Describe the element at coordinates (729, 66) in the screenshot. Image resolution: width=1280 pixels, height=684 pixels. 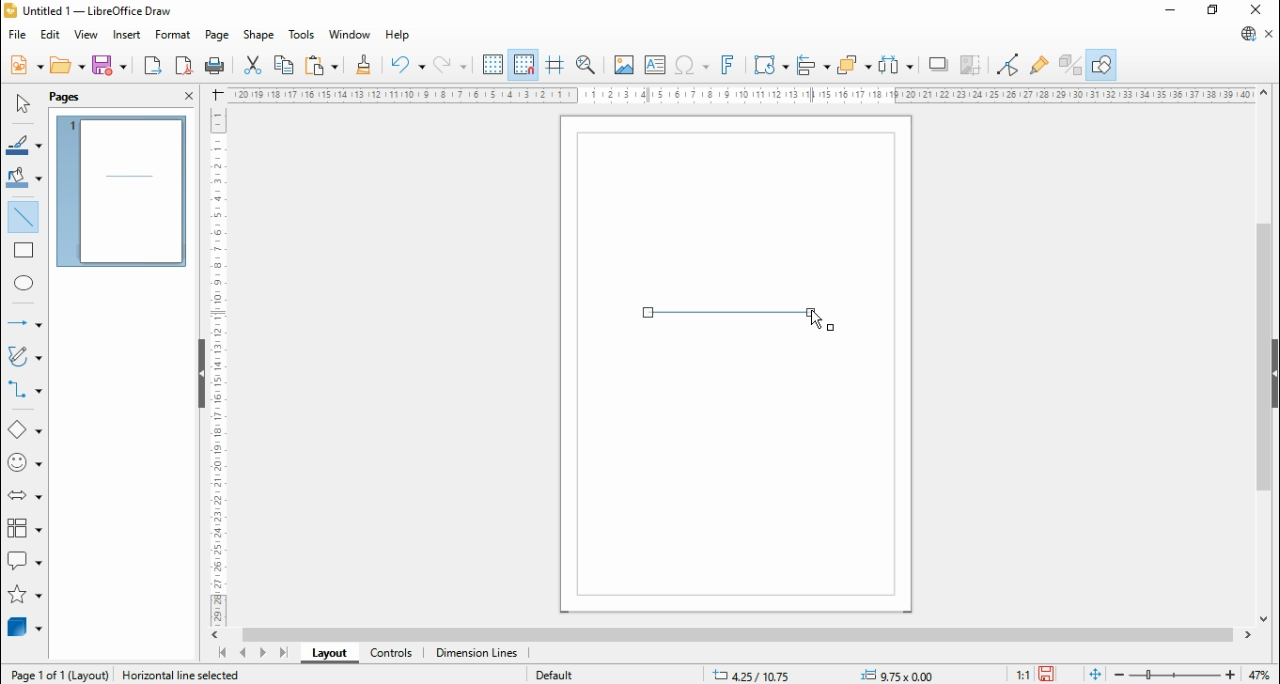
I see `insert fontwork text` at that location.